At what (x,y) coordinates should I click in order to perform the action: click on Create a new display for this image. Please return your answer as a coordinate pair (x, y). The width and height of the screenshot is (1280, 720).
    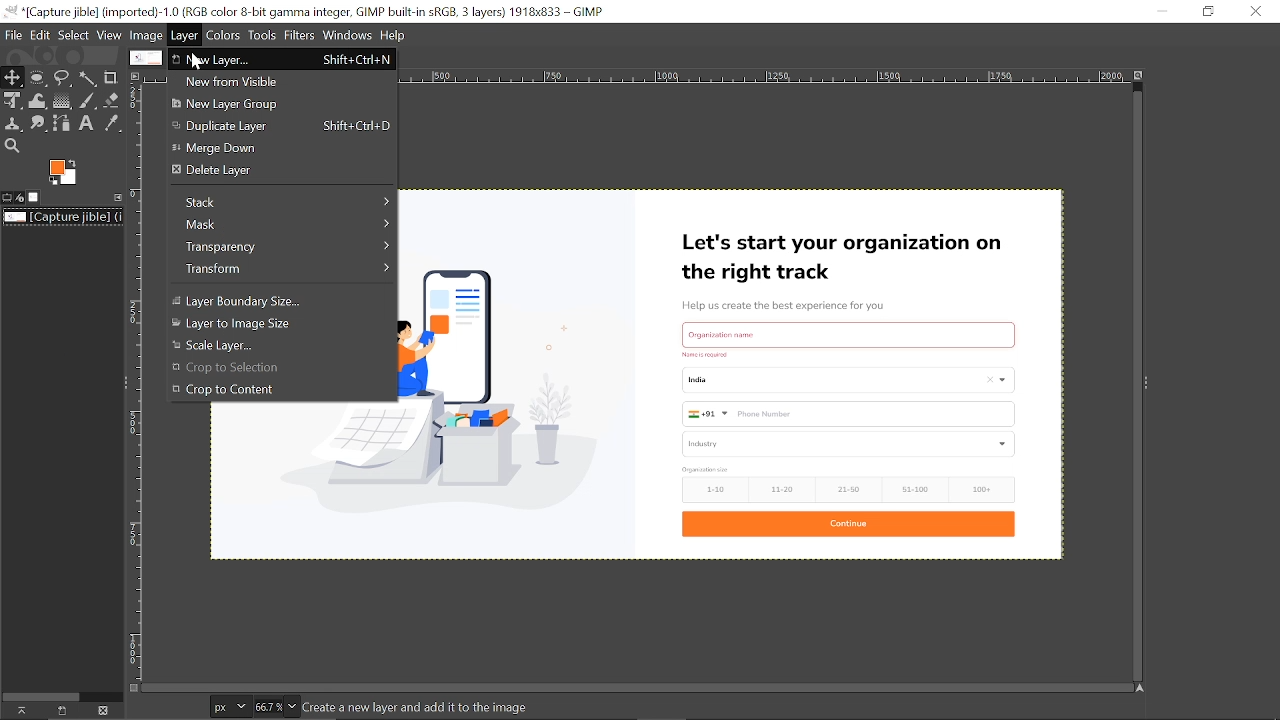
    Looking at the image, I should click on (60, 711).